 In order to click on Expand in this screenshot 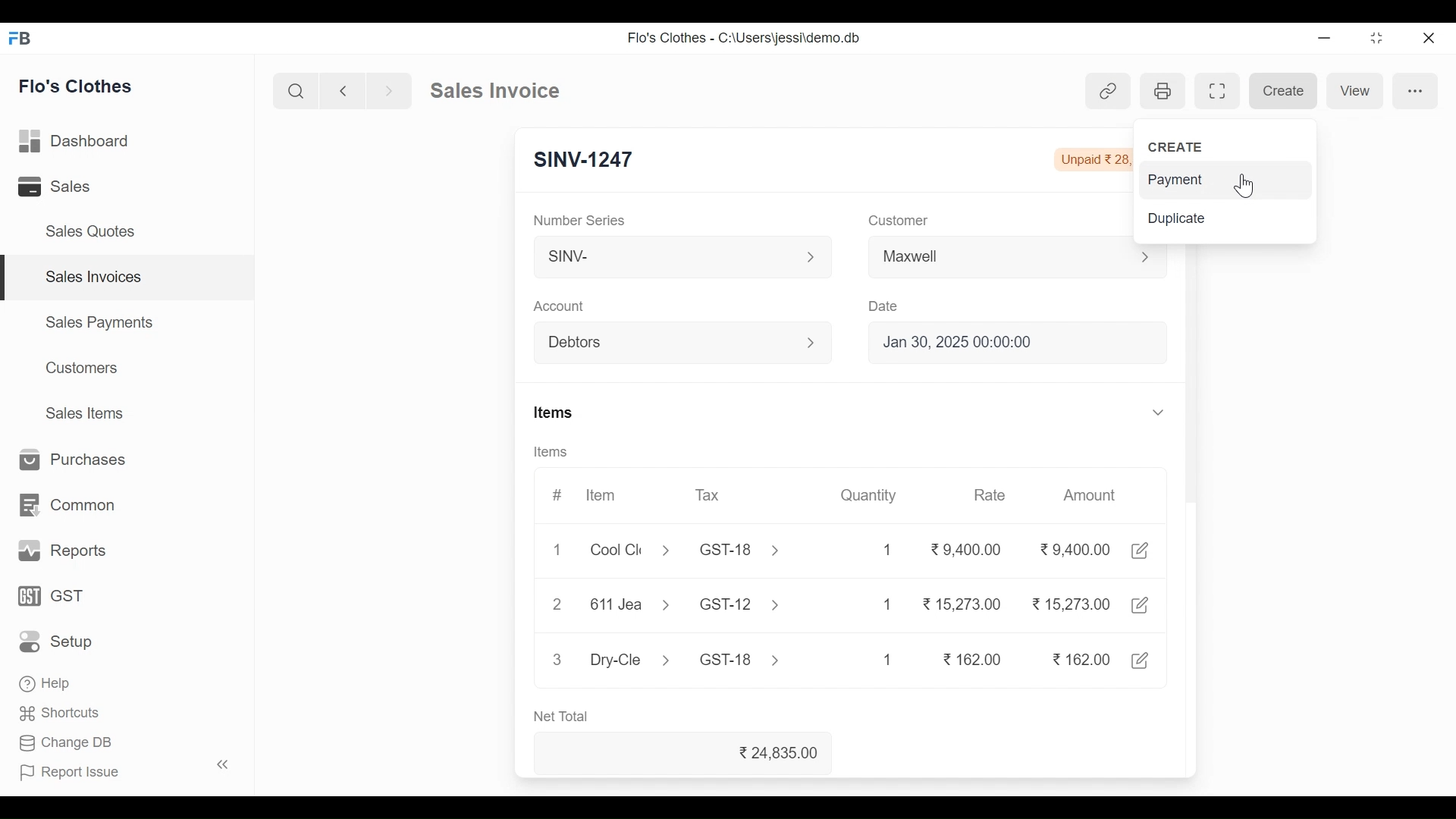, I will do `click(812, 257)`.